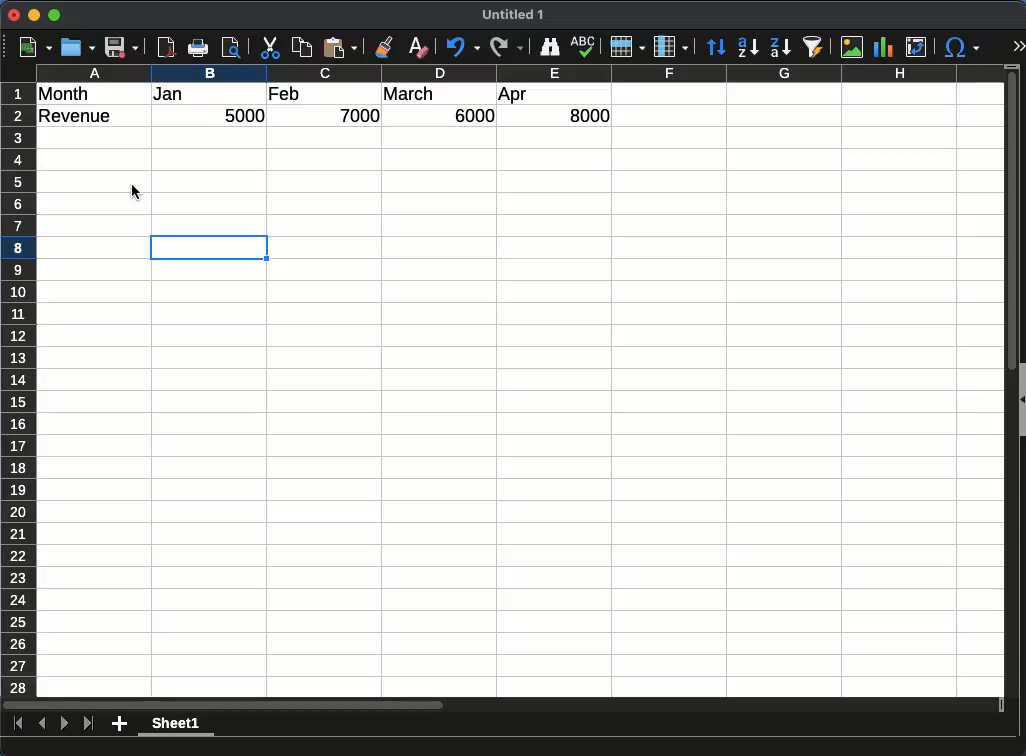 The height and width of the screenshot is (756, 1026). What do you see at coordinates (64, 94) in the screenshot?
I see `month` at bounding box center [64, 94].